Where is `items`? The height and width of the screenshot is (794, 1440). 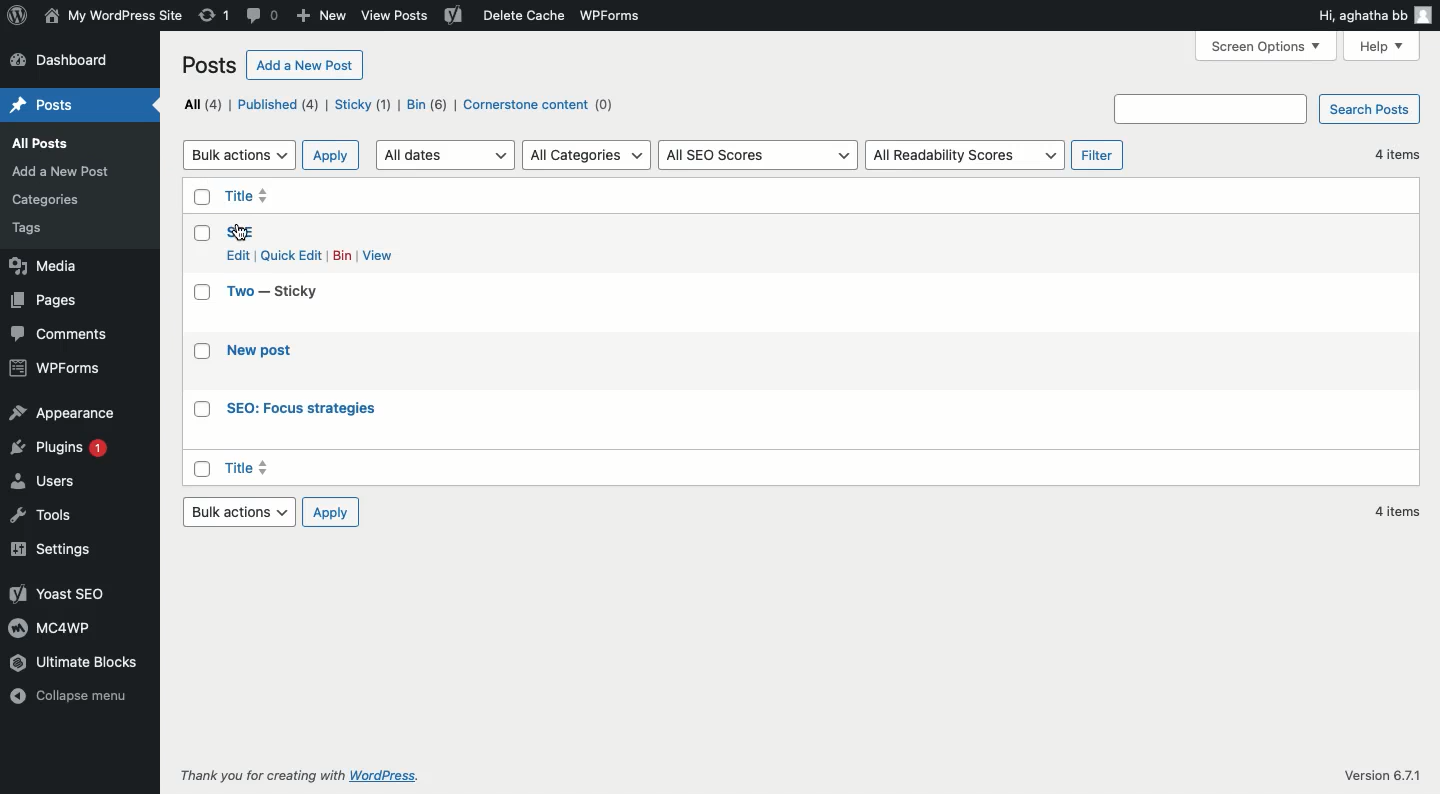
items is located at coordinates (1393, 157).